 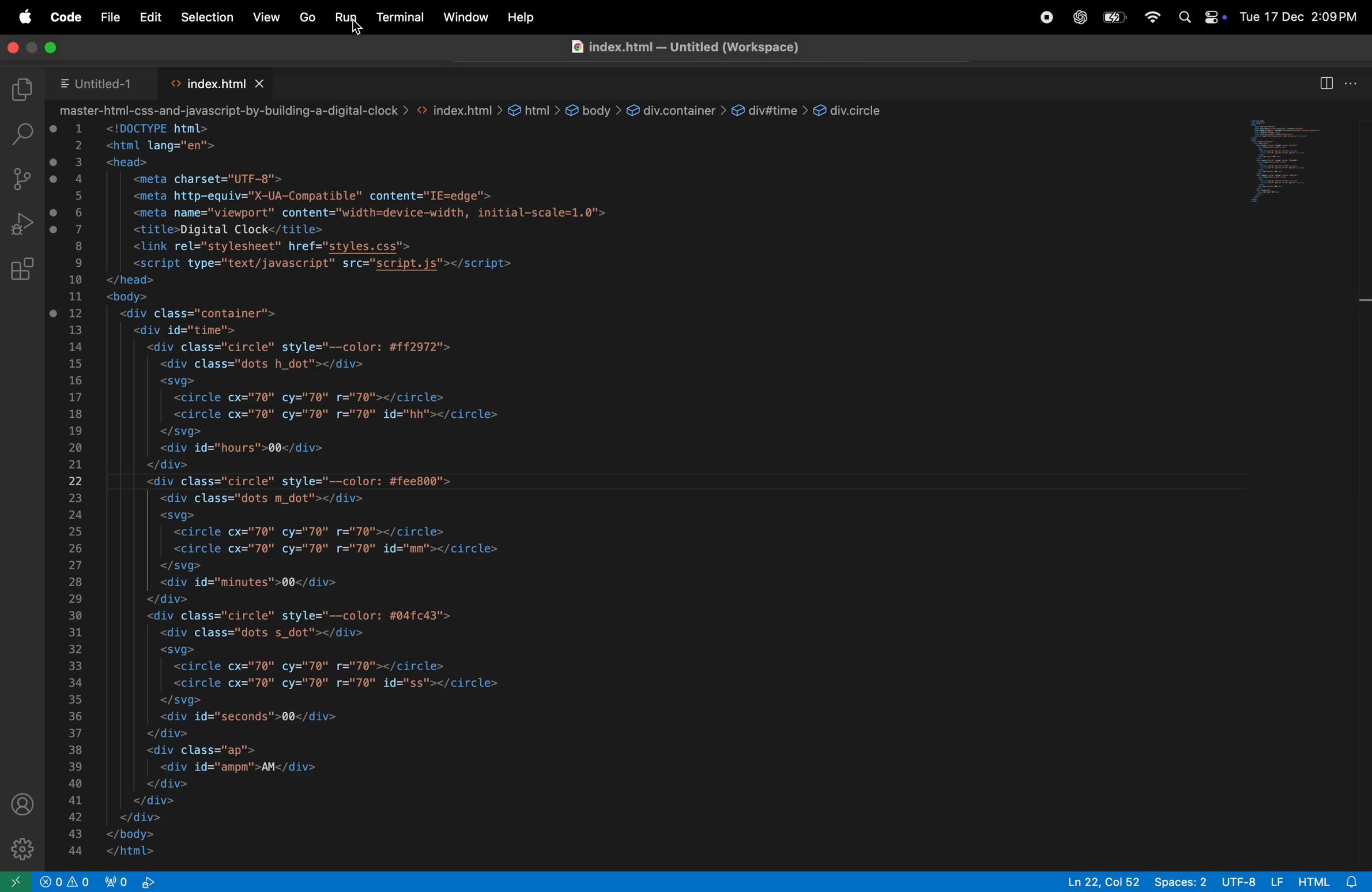 I want to click on <html lang="en">
<head>
<meta charset="UTF-8">
<meta http-equiv="X-UA-Compatible" content="IE=edge'>
<meta name="viewport" content="width=device-width, initial-scale=1.0">
<title>Digital Clock</title>
<link rel="stylesheet" href="styles.css">
<script type="text/javascript" src="script.js"></script>
</head>
<body>
<div class="container">
<div id="time">
<div class="circle" style="--color: #ff2972">
<div class="dots h_dot"></div>
<svg>
<circle cx="70" cy="70" r="70"></circle>
<circle cx="70" cy="70" r="70" id="hh"></circle>
</svg>
<div id="hours">00</div>
</div>
<div class="circle" style="--color: #fee800">
<div class="dots m_dot"></div>
<svg>
<circle cx="70" cy="70" r="70"></circle>
<circle cx="70" cy="70" r="70" id="mm"></circle>
</svg>
<div id="minutes">00</div>
</div>
<div class="circle" style="--color: #04fc43">
<div class="dots s_dot"></div>
<svg>
<circle cx="70" cy="70" r="70"></circle>
<circle cx="70" cy="70" r="70" id="ss"></circle>
</svg>
<div id="seconds">00</div>
</div>
<div class="ap">
<div id="ampm">AM</div>
</div>
</div>
</div>
</body>
</html>, so click(x=367, y=492).